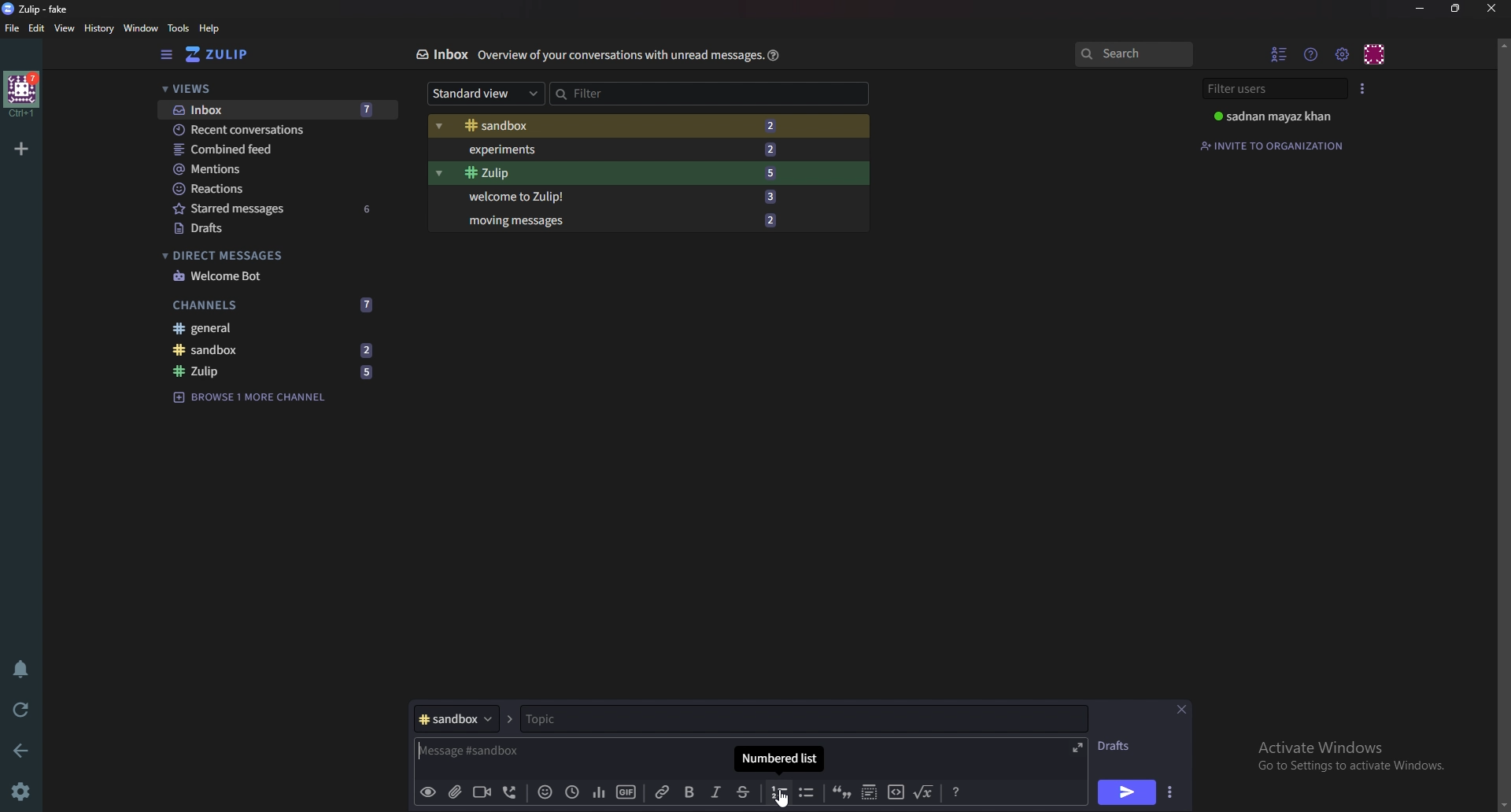 This screenshot has width=1511, height=812. Describe the element at coordinates (272, 275) in the screenshot. I see `welcome bot` at that location.